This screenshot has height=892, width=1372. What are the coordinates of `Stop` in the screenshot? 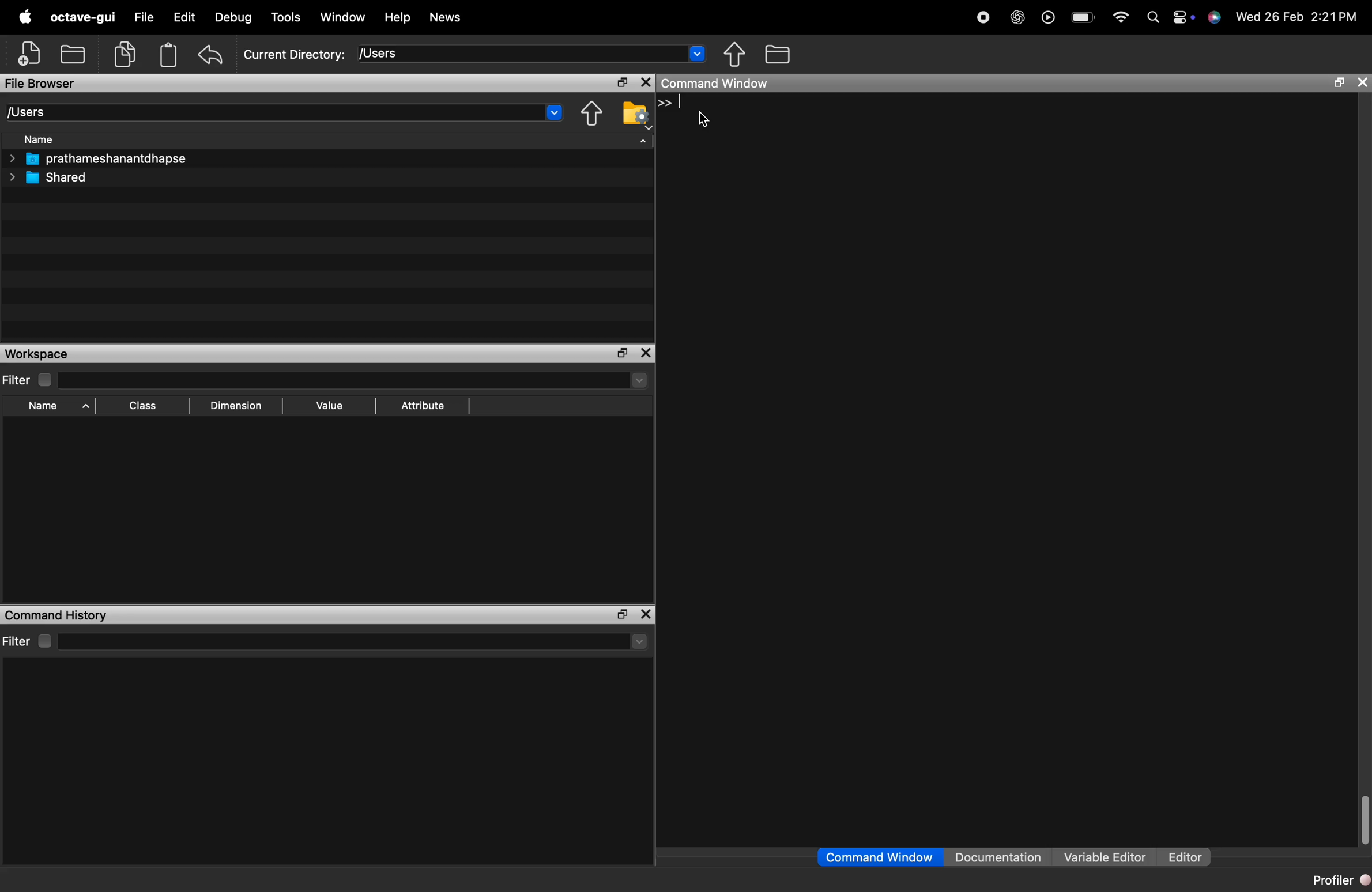 It's located at (985, 16).